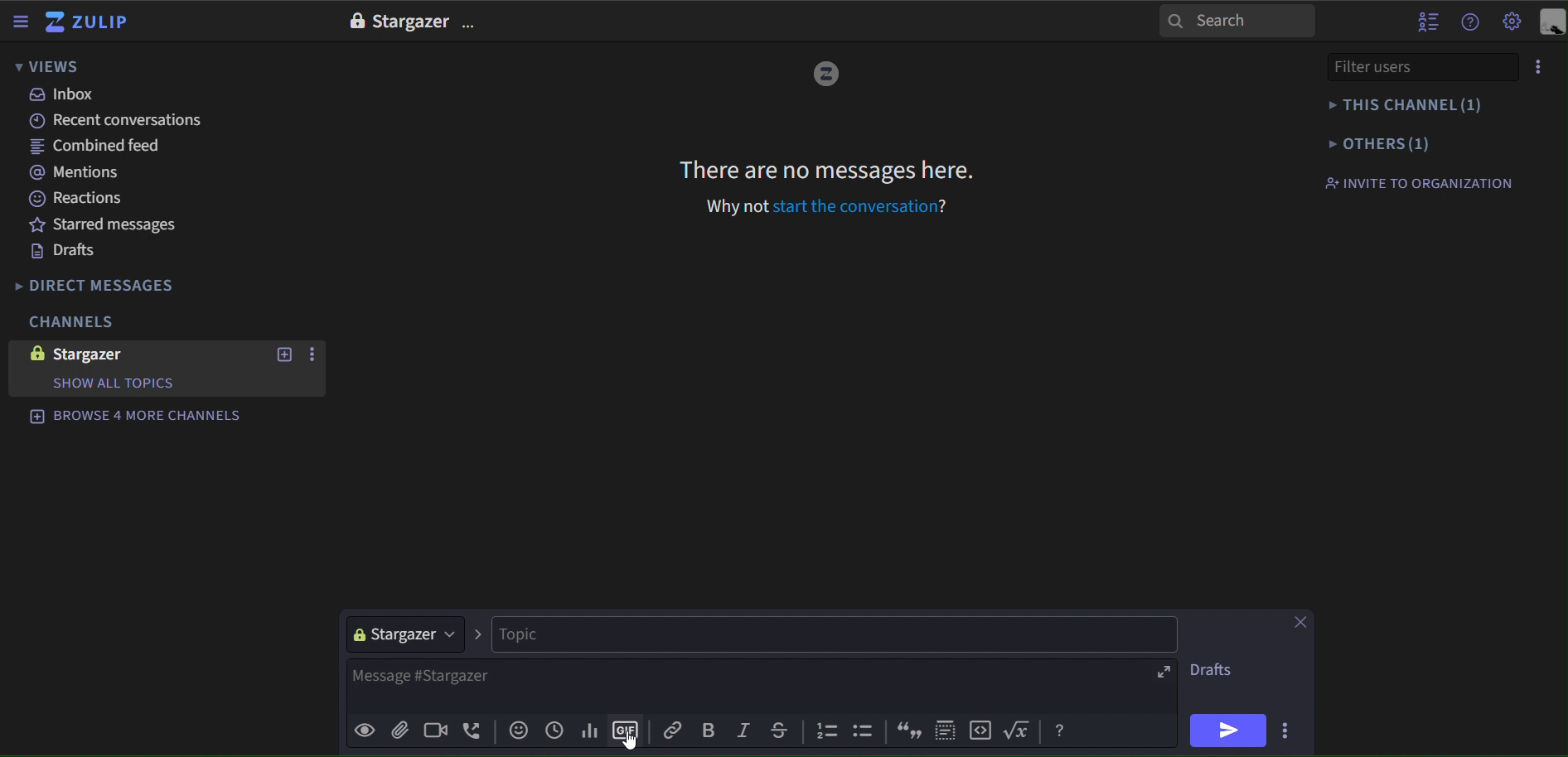 The height and width of the screenshot is (757, 1568). I want to click on cursor, so click(631, 743).